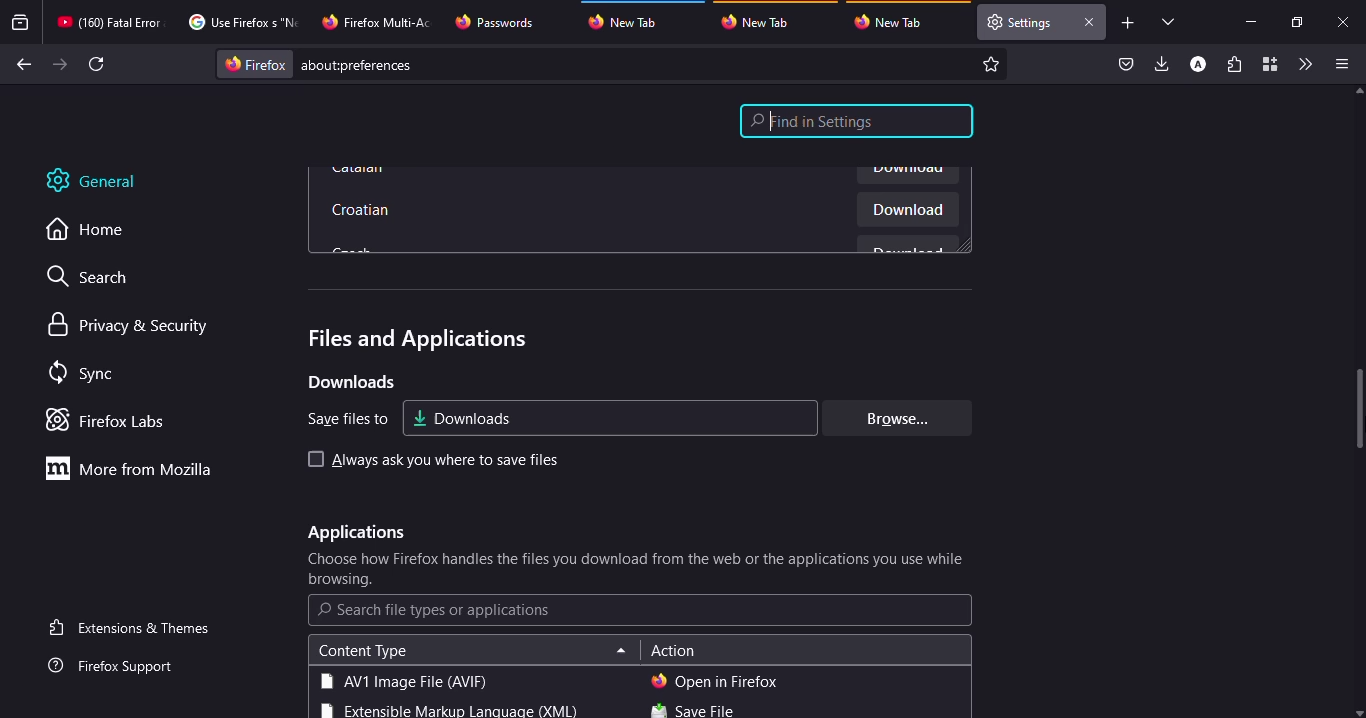 This screenshot has width=1366, height=718. I want to click on more tools, so click(1304, 64).